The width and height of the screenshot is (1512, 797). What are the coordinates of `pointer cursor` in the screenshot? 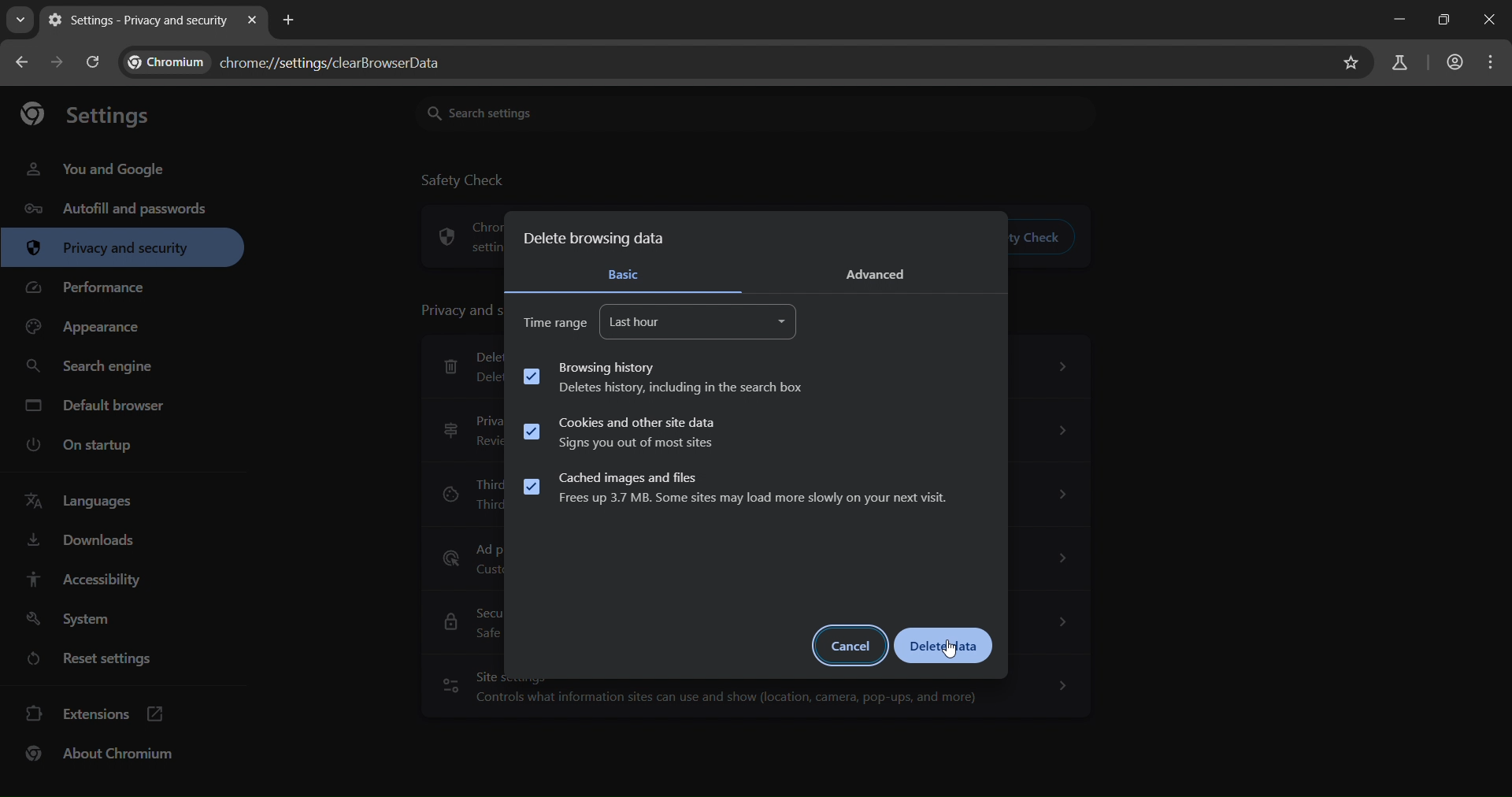 It's located at (950, 651).